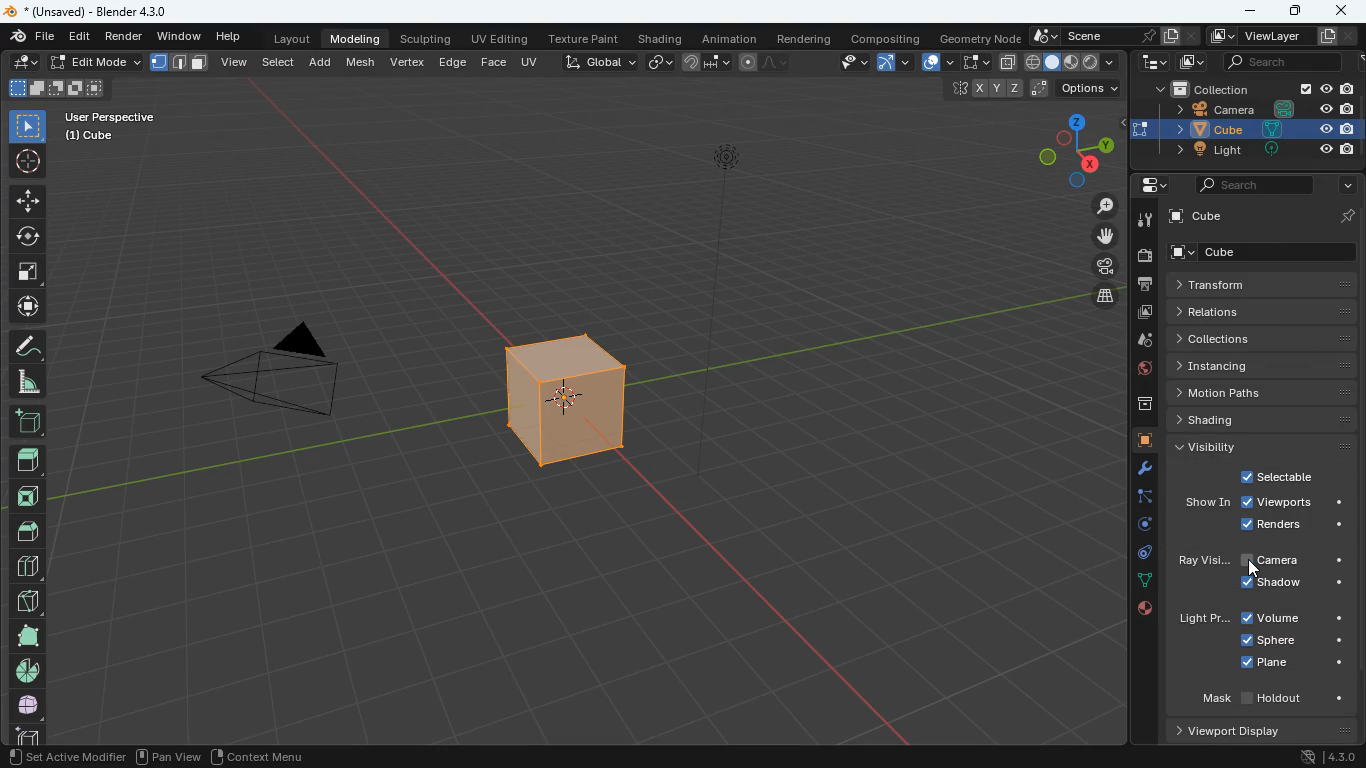 This screenshot has height=768, width=1366. What do you see at coordinates (27, 673) in the screenshot?
I see `pie` at bounding box center [27, 673].